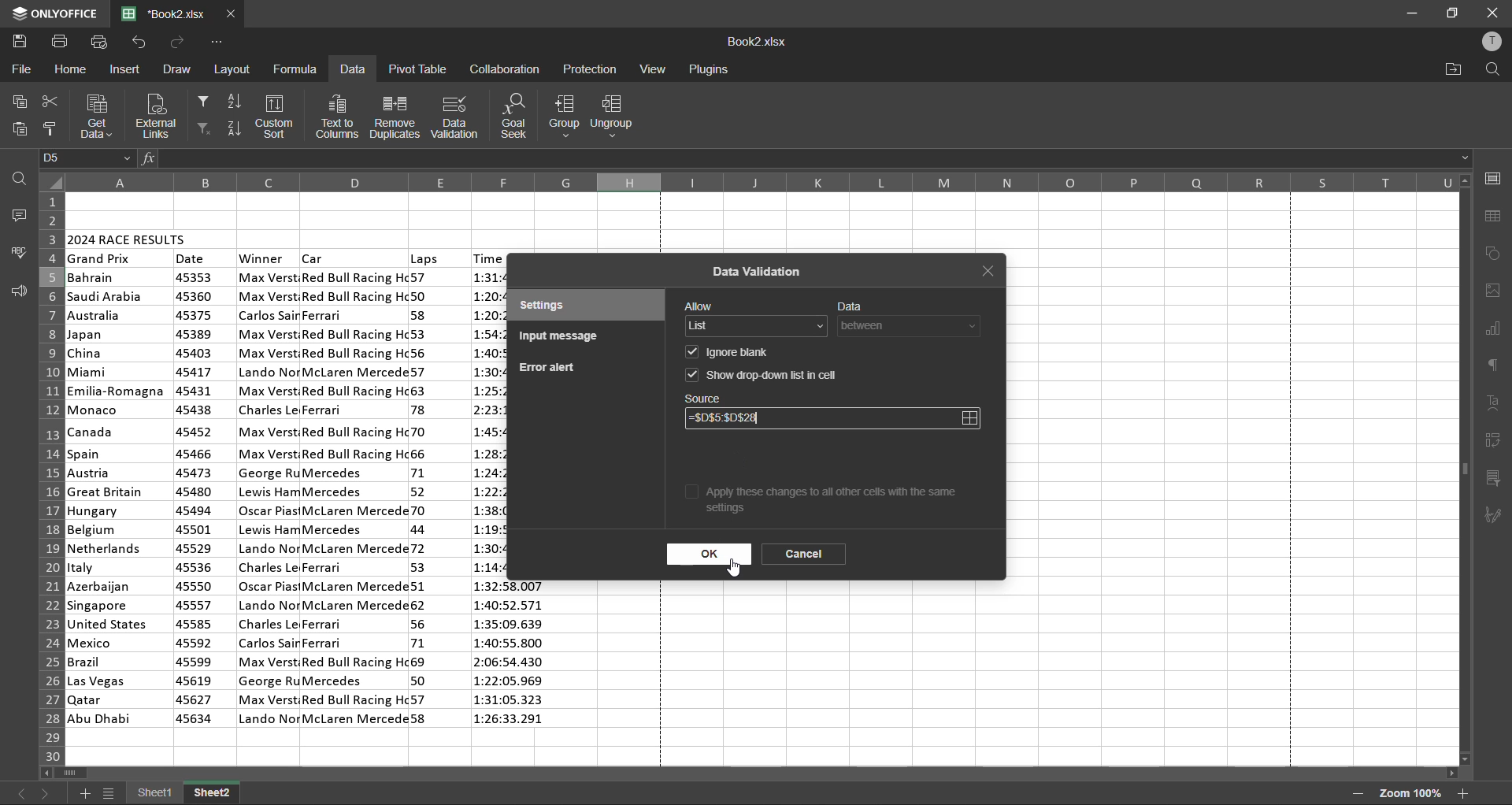  What do you see at coordinates (87, 158) in the screenshot?
I see `cell address` at bounding box center [87, 158].